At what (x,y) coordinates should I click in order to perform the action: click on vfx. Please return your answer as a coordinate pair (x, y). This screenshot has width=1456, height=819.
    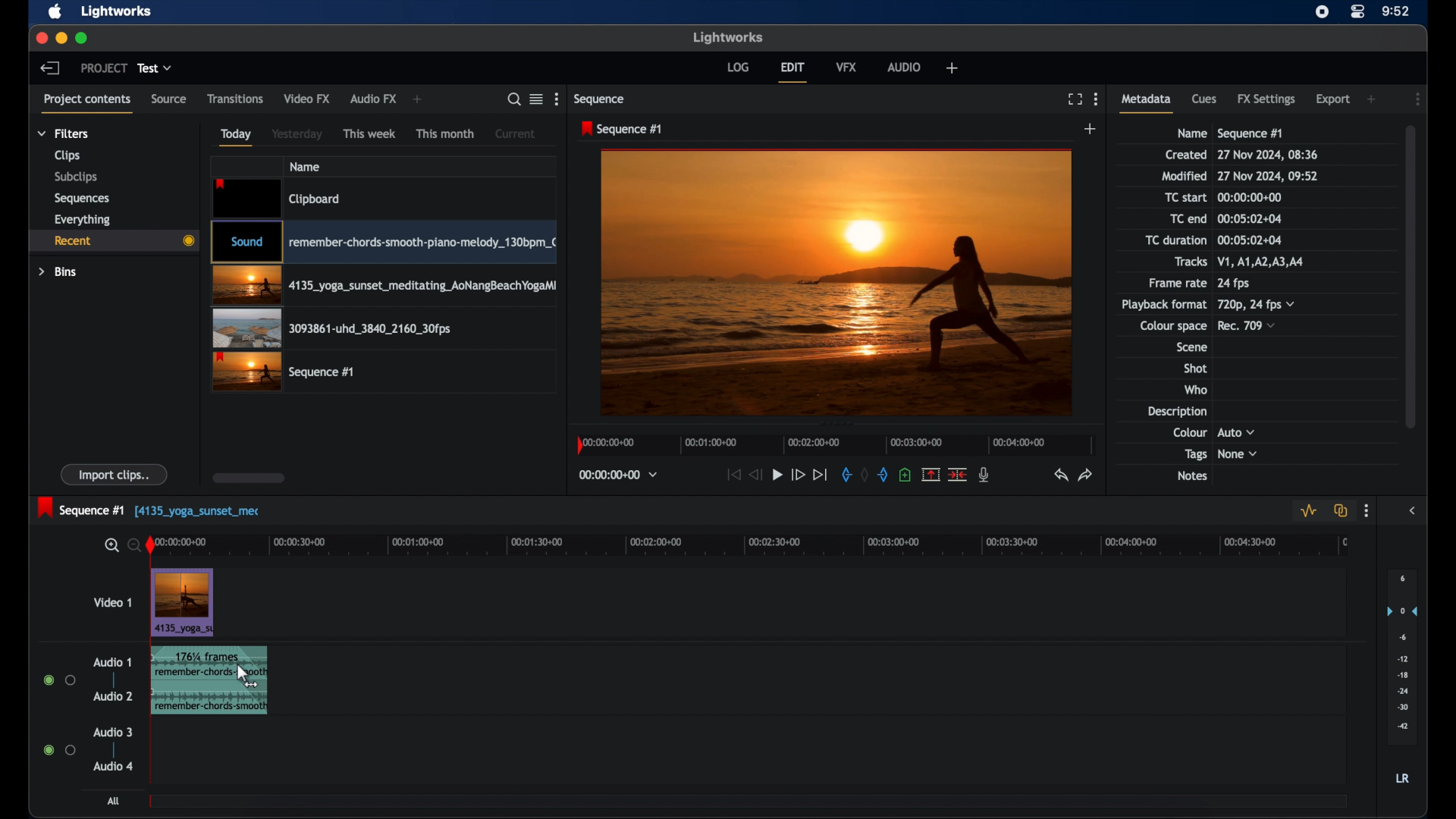
    Looking at the image, I should click on (847, 66).